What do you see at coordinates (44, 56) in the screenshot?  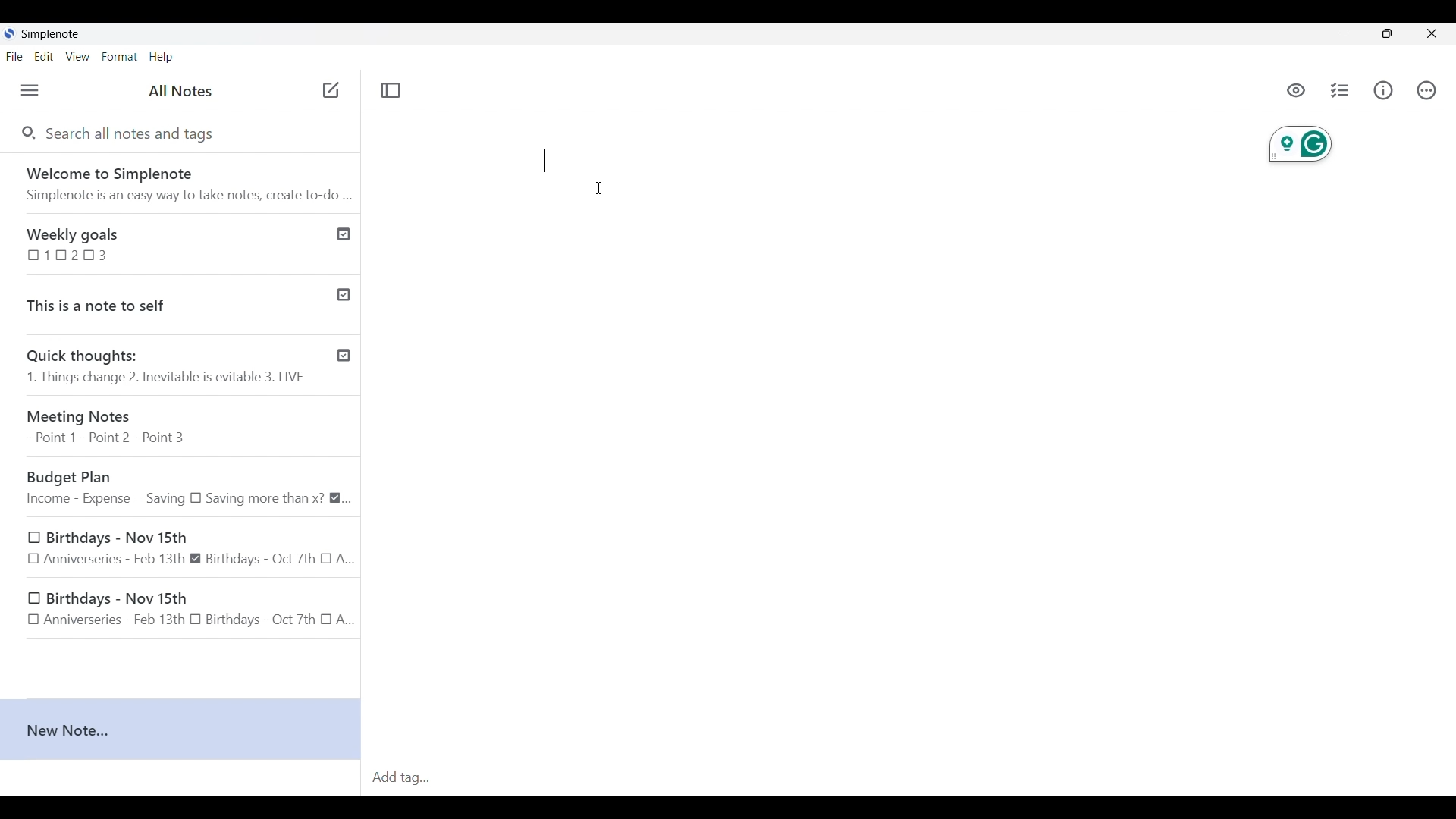 I see `Edit menu` at bounding box center [44, 56].